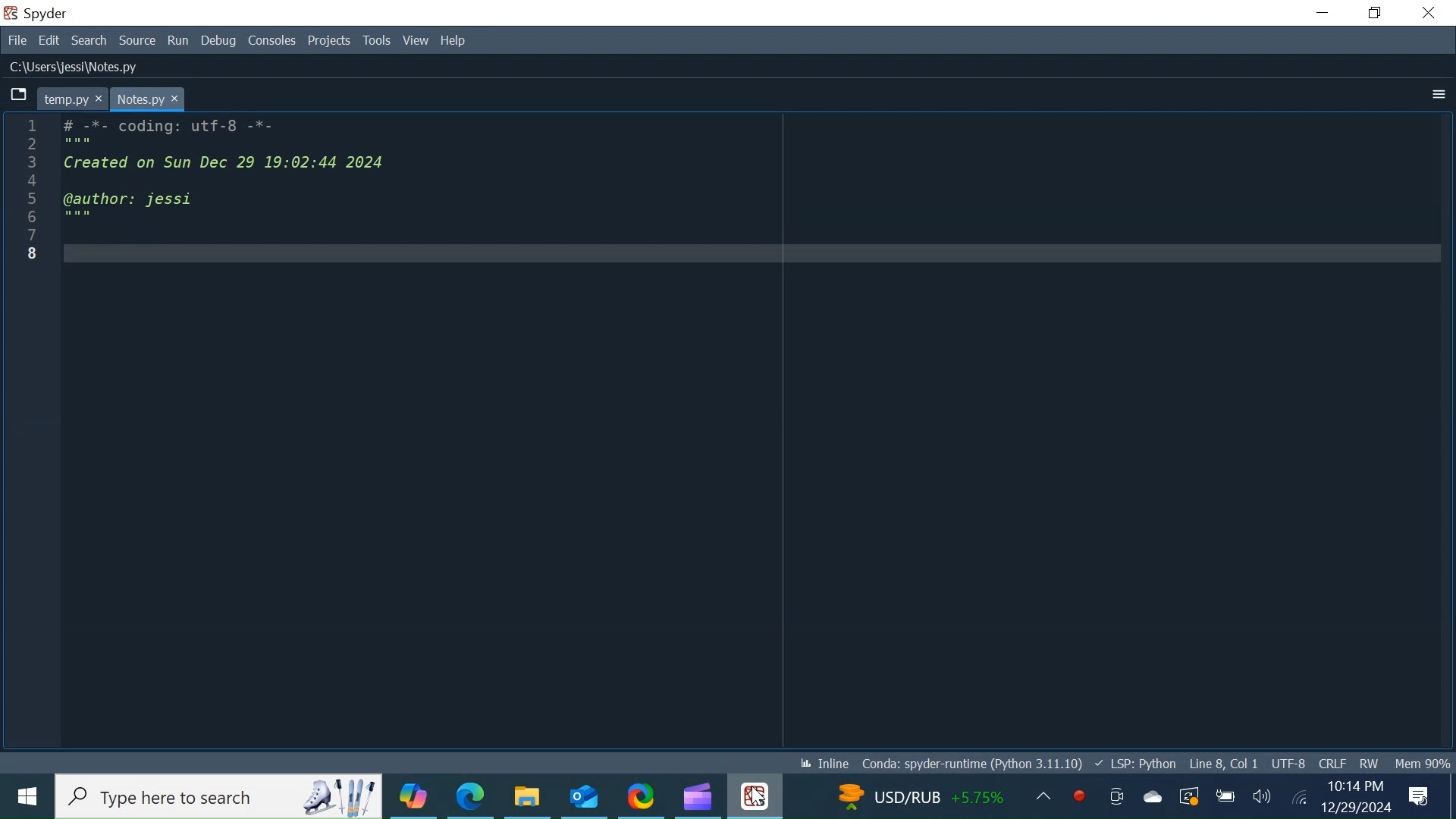  Describe the element at coordinates (1331, 763) in the screenshot. I see `File EQL Status` at that location.